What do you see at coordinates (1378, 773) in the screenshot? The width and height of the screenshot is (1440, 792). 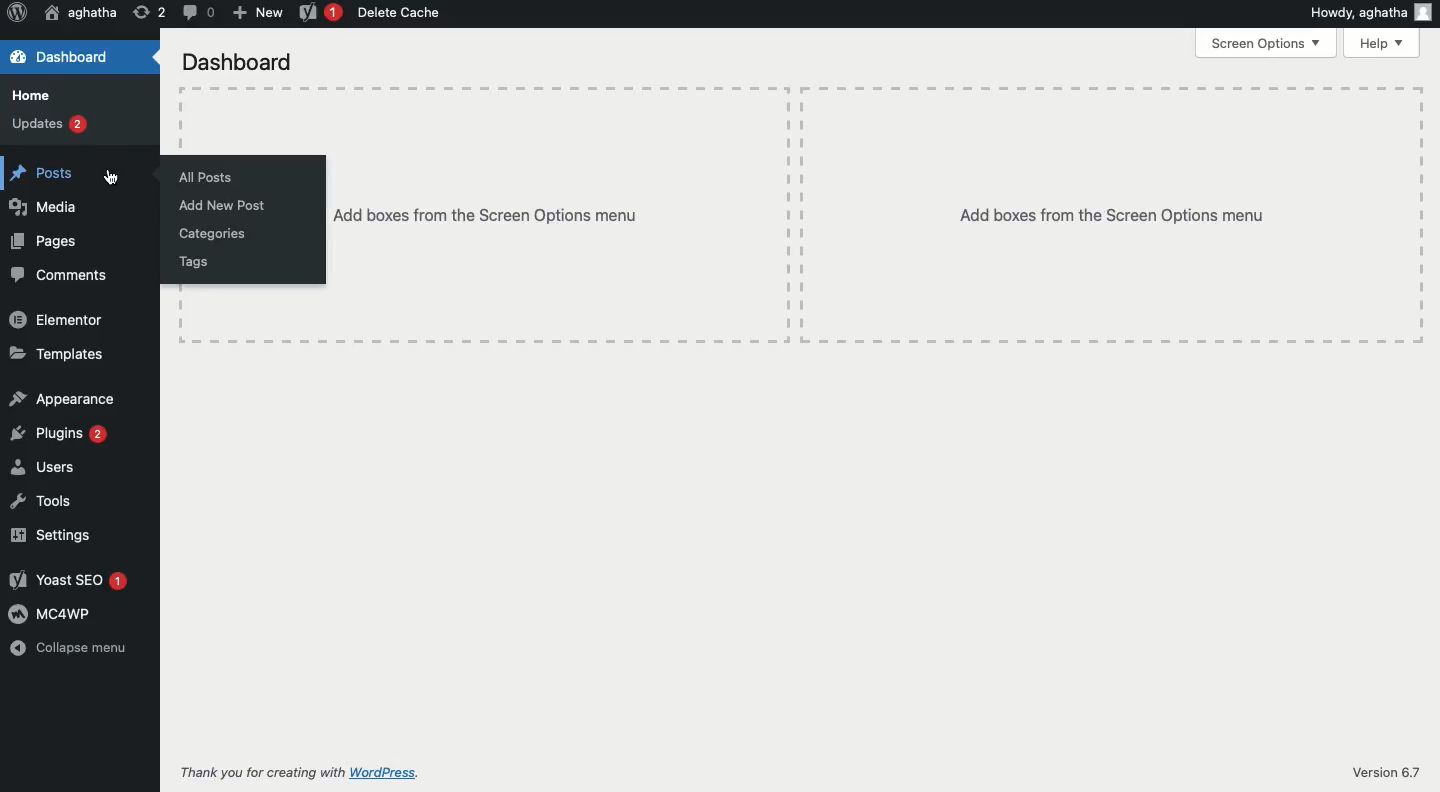 I see `Version 6.7` at bounding box center [1378, 773].